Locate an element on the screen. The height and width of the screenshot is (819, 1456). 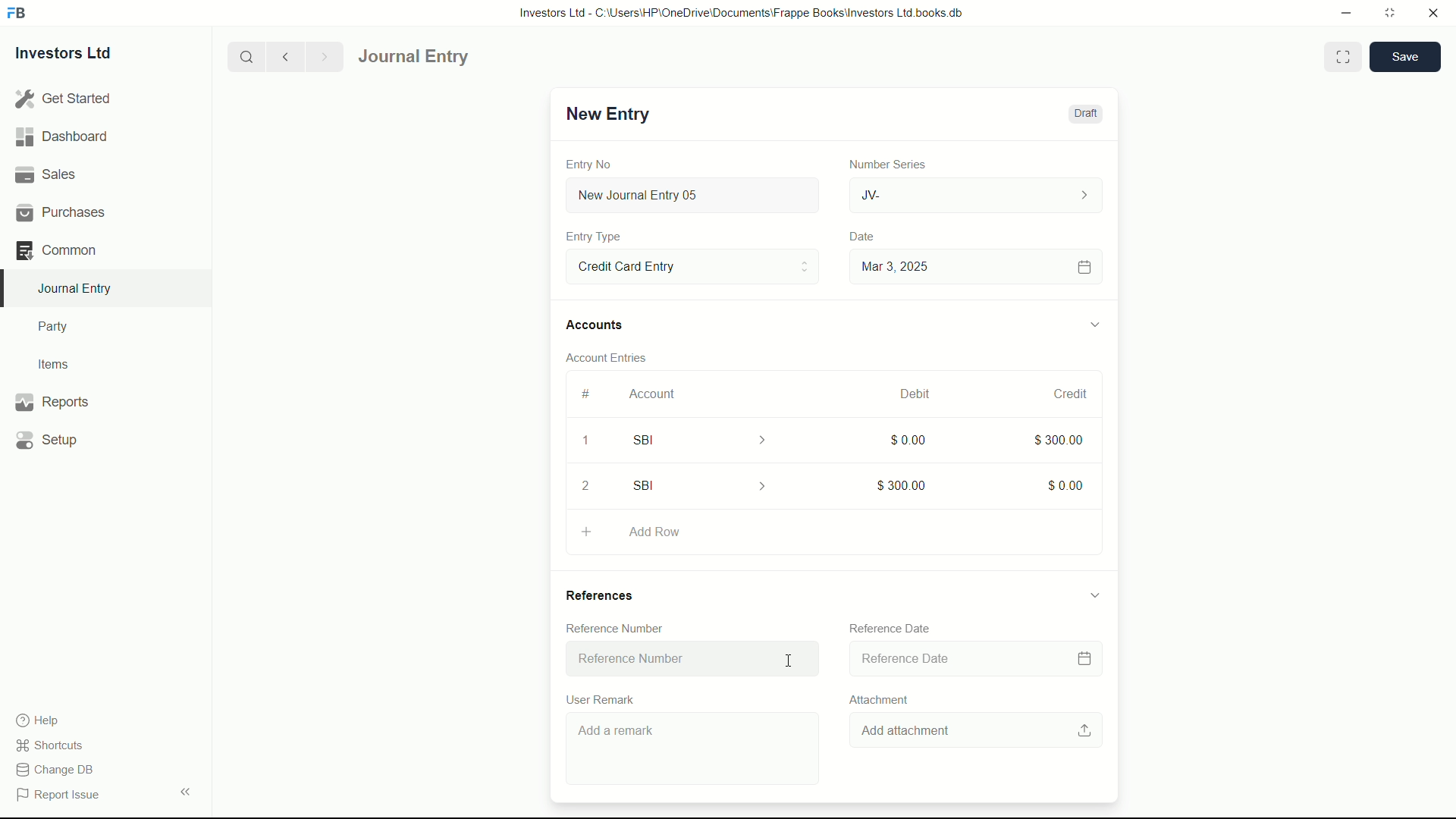
Accounts is located at coordinates (598, 325).